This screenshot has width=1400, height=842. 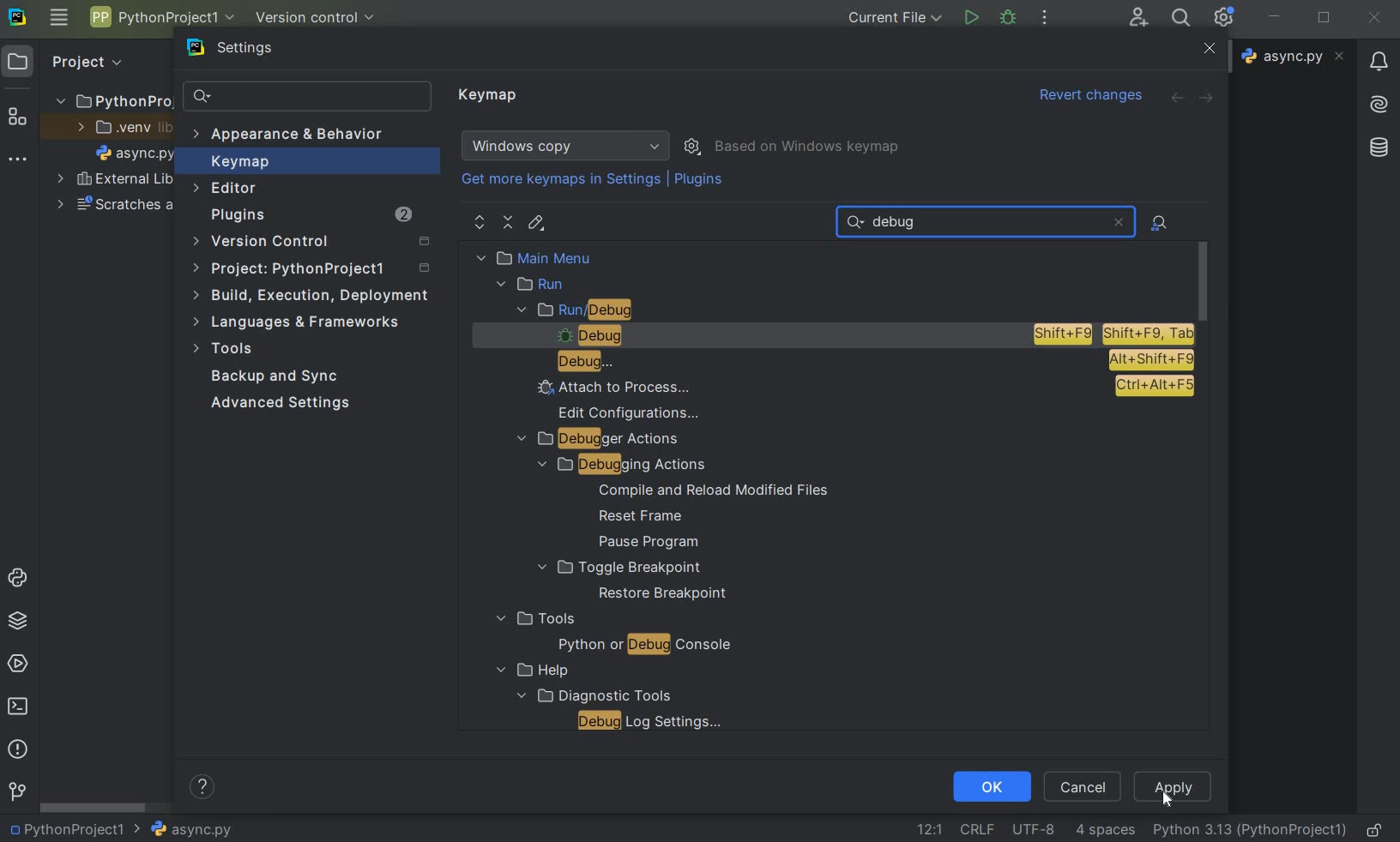 What do you see at coordinates (1251, 829) in the screenshot?
I see `current interpreter` at bounding box center [1251, 829].